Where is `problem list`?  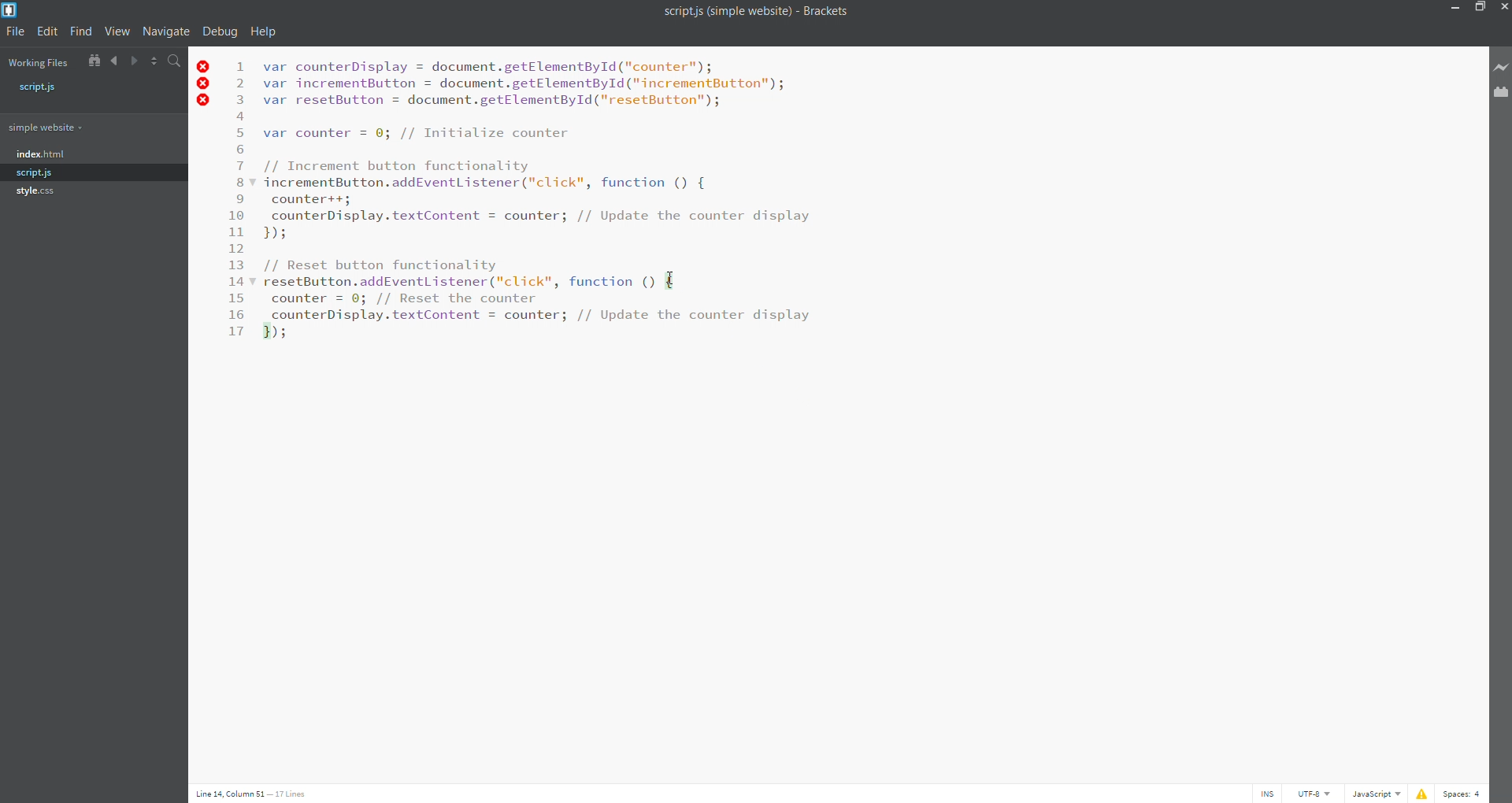
problem list is located at coordinates (1422, 794).